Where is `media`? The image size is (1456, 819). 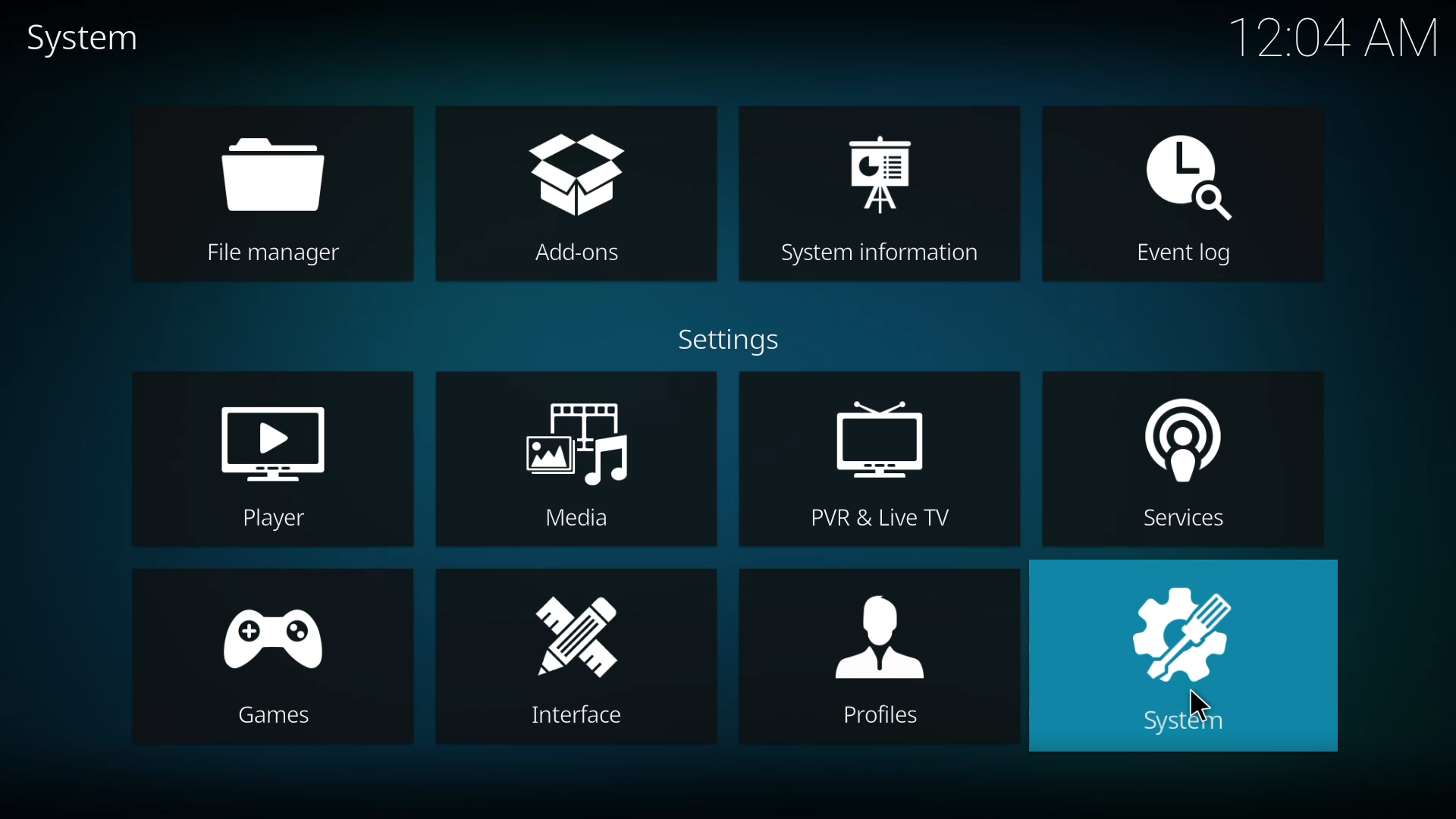
media is located at coordinates (581, 458).